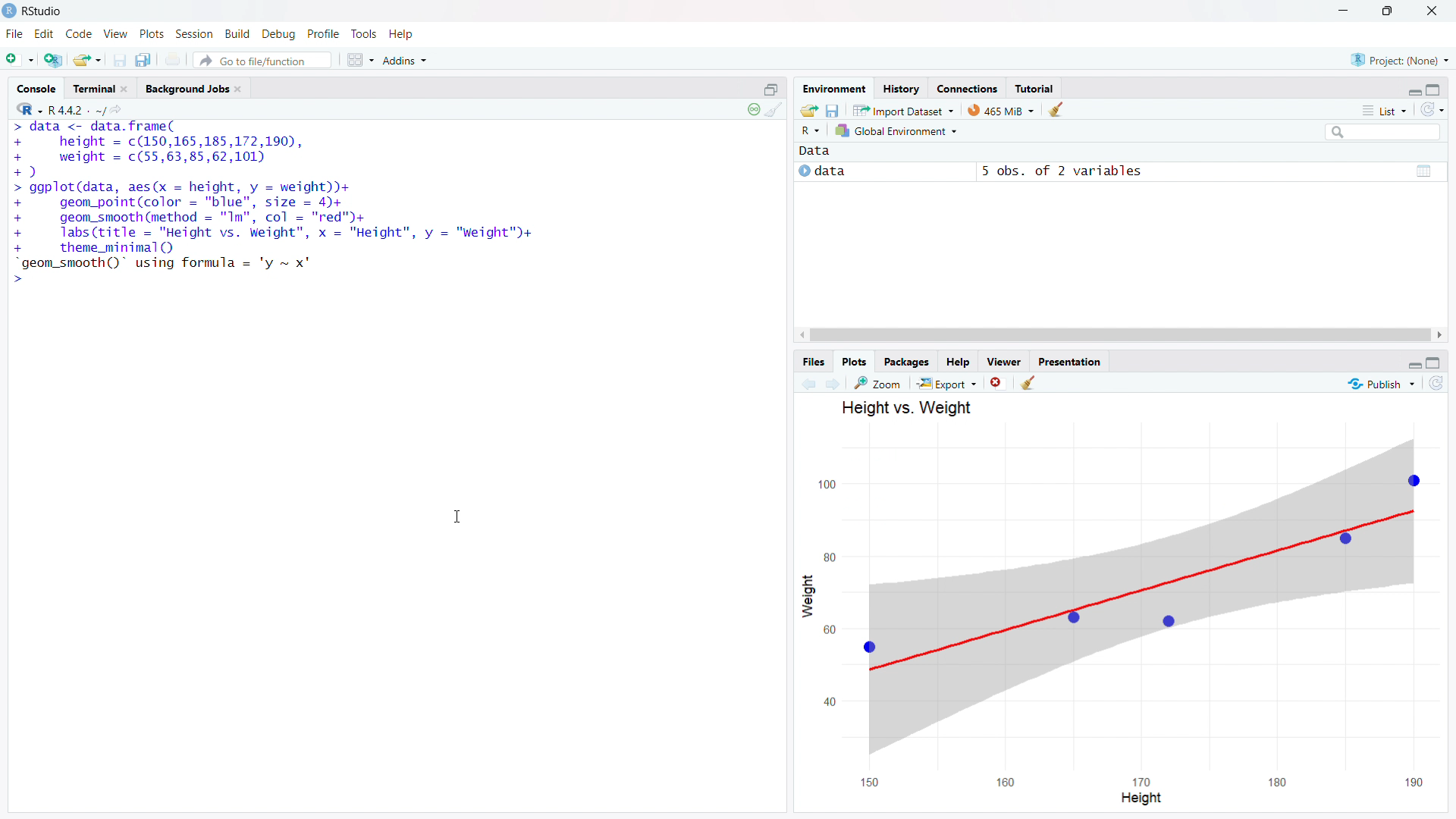  I want to click on tutorial, so click(1034, 88).